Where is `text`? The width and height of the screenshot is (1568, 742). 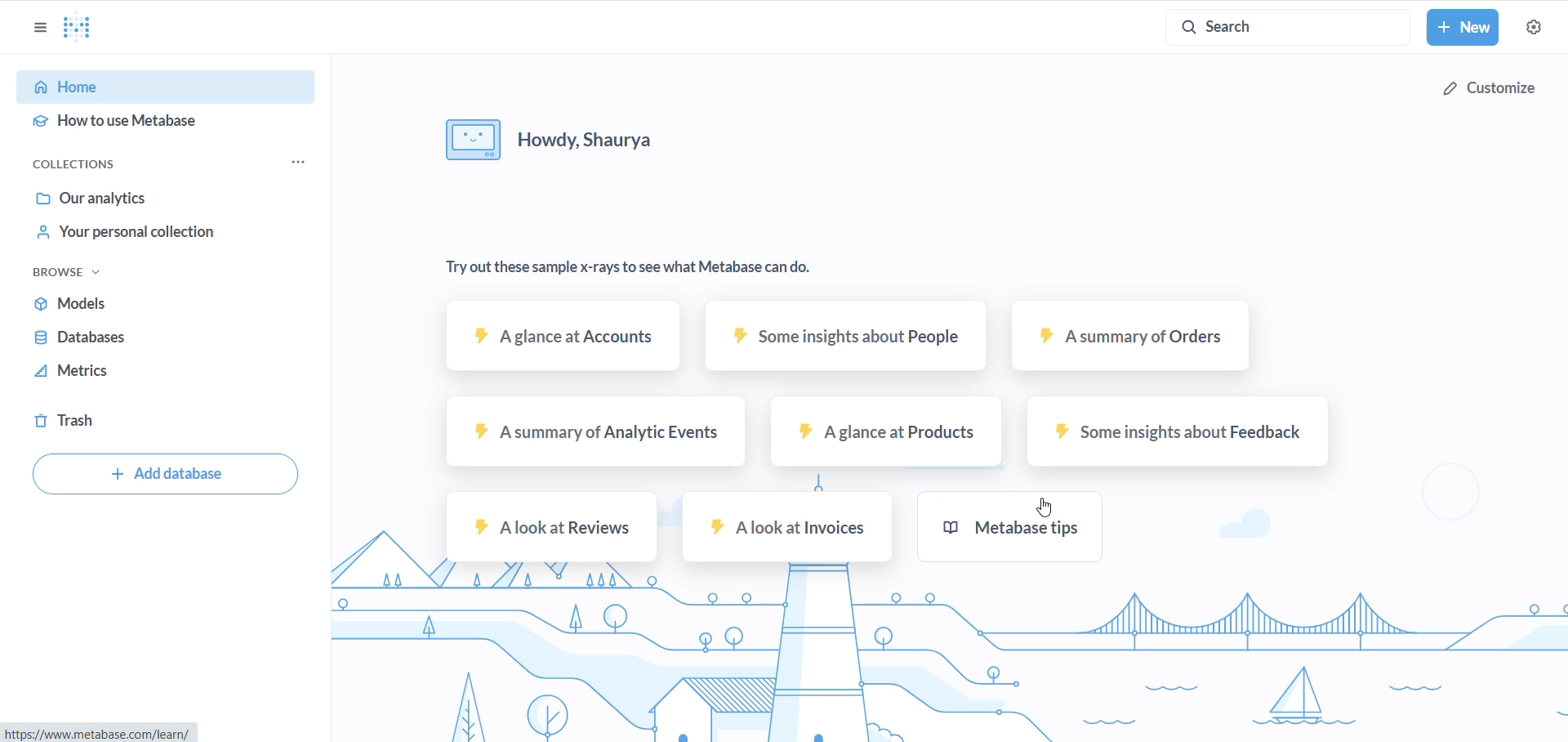 text is located at coordinates (635, 265).